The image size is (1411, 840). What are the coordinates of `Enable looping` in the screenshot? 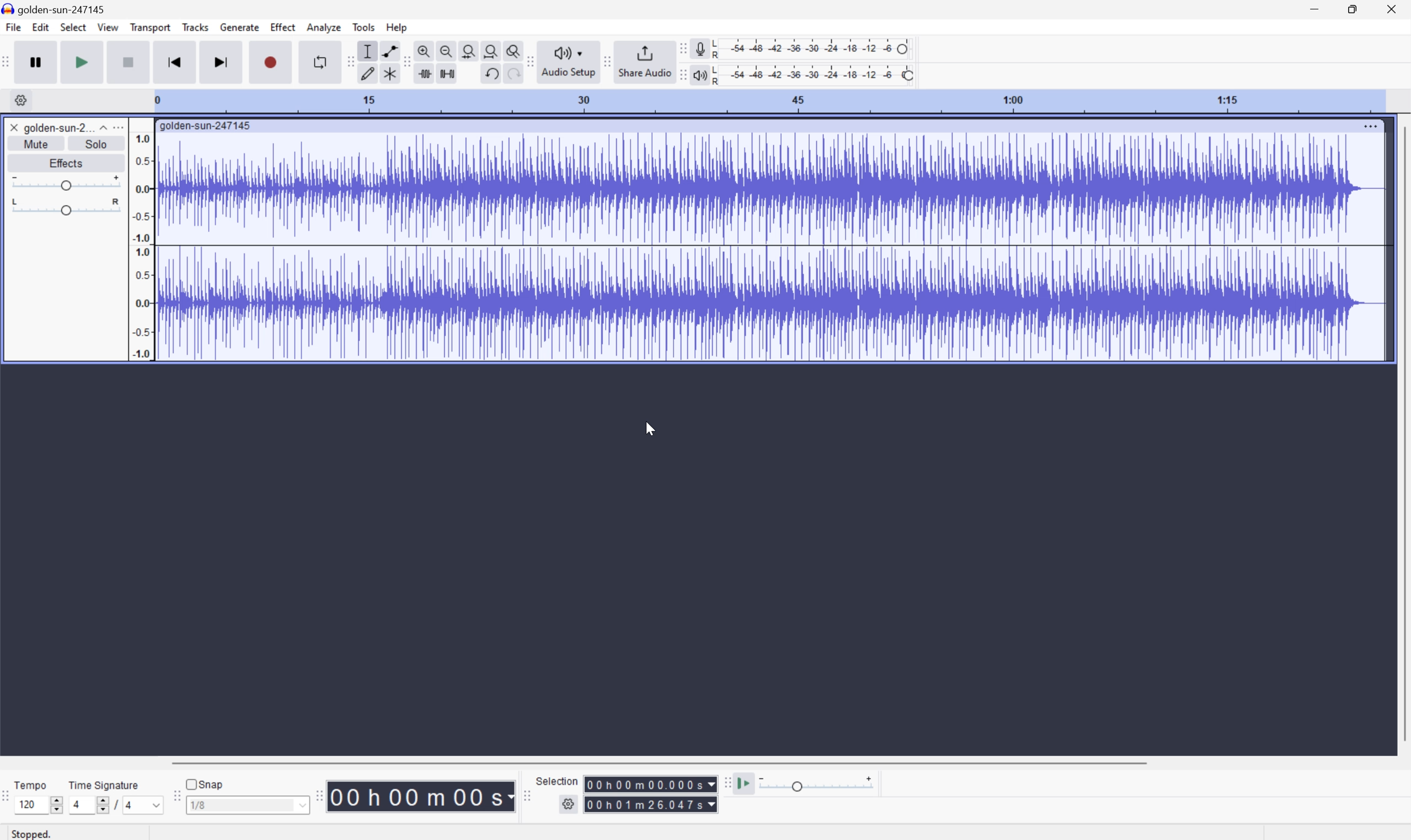 It's located at (319, 62).